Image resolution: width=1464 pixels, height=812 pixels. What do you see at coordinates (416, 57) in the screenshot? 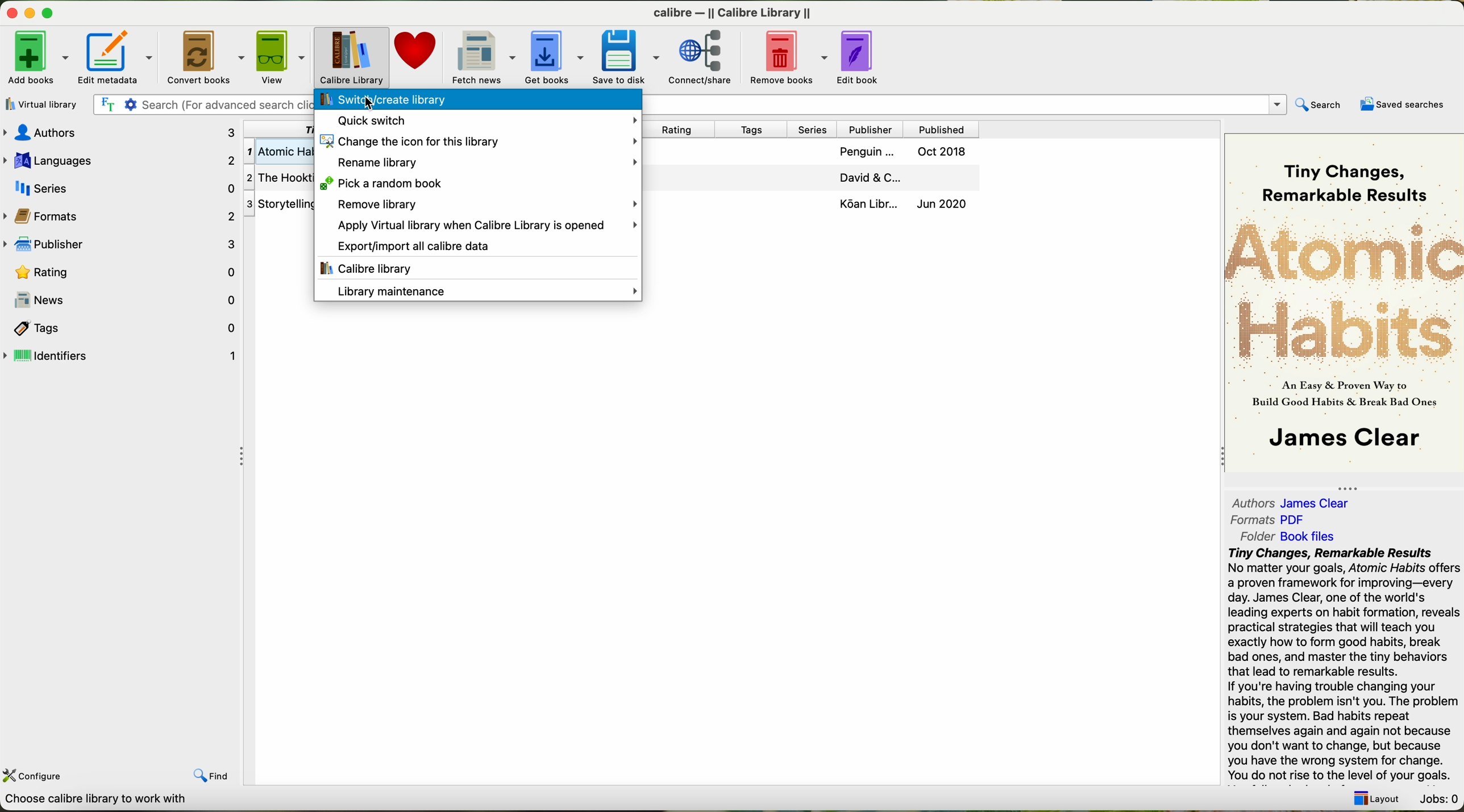
I see `donate` at bounding box center [416, 57].